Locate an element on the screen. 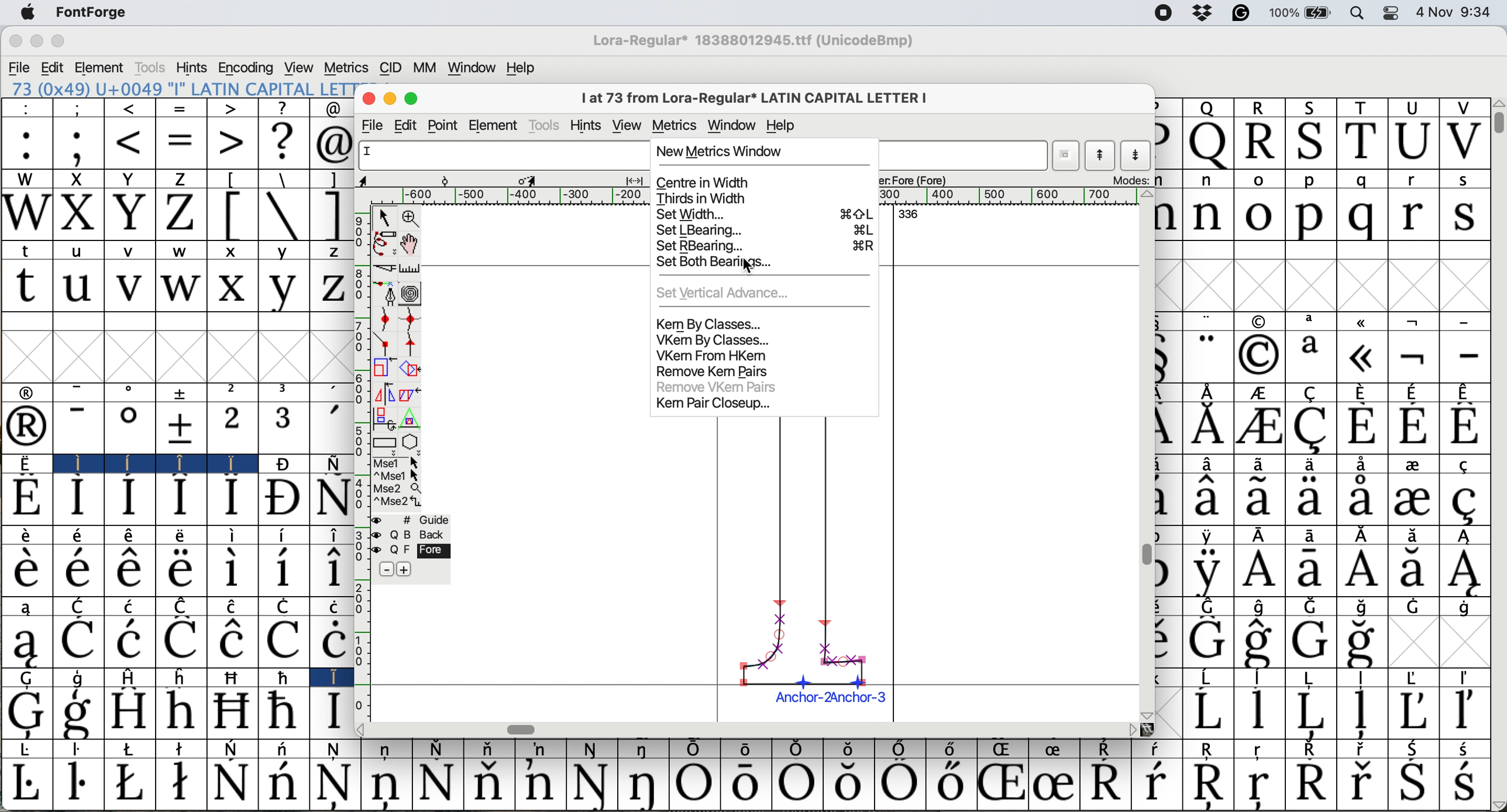  - is located at coordinates (1466, 356).